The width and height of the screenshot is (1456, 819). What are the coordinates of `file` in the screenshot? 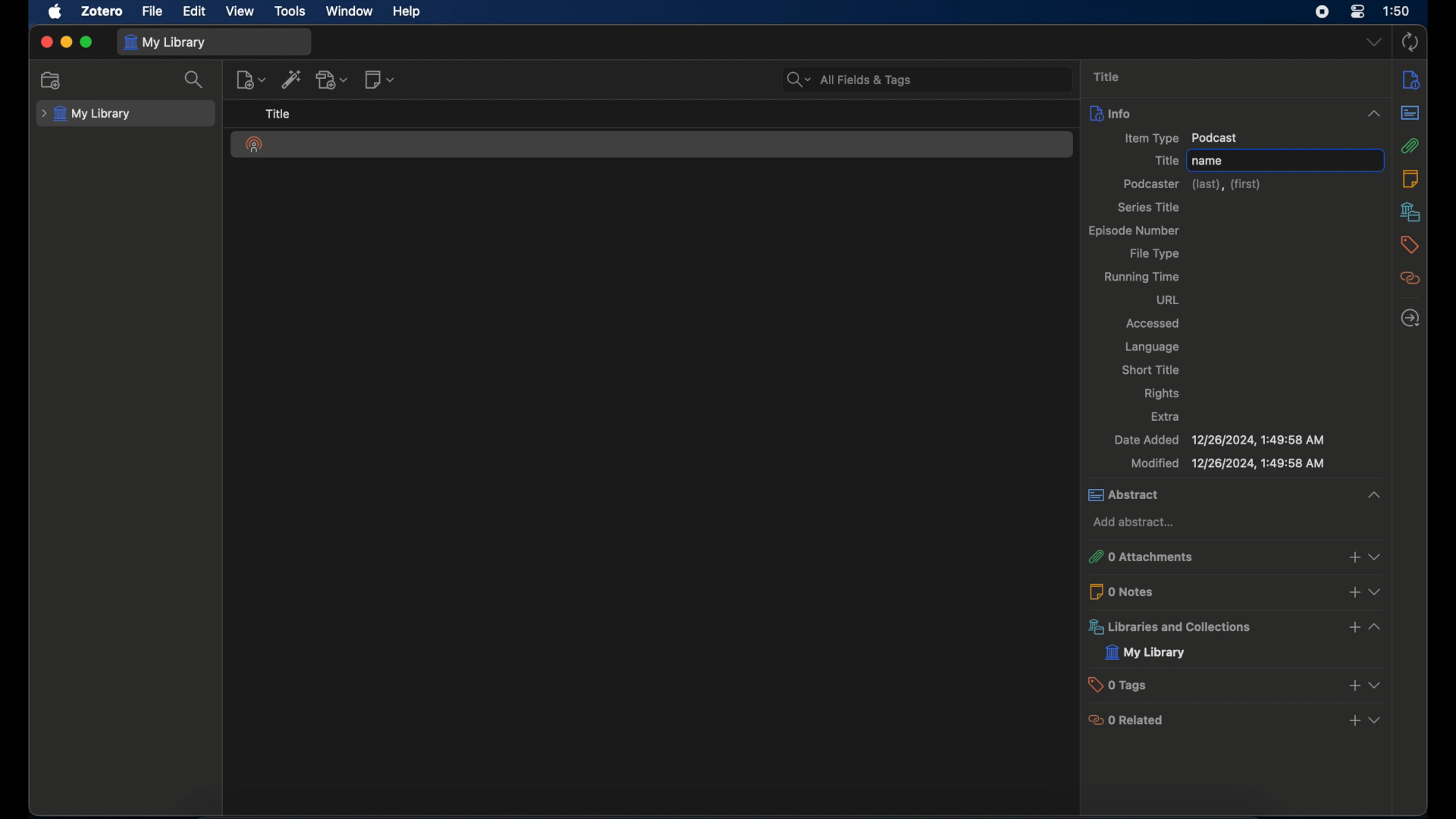 It's located at (153, 12).